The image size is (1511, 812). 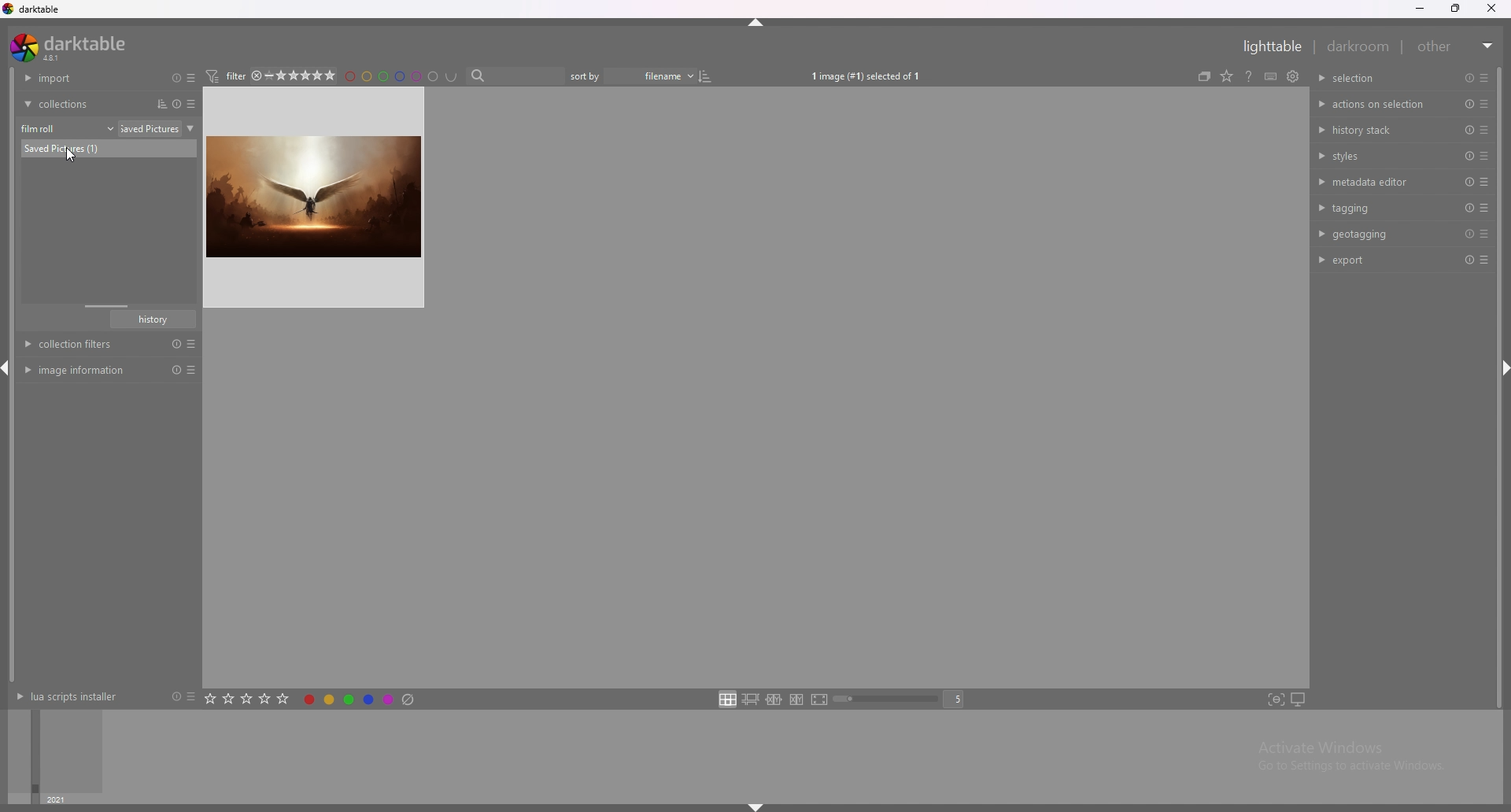 What do you see at coordinates (1484, 182) in the screenshot?
I see `presets` at bounding box center [1484, 182].